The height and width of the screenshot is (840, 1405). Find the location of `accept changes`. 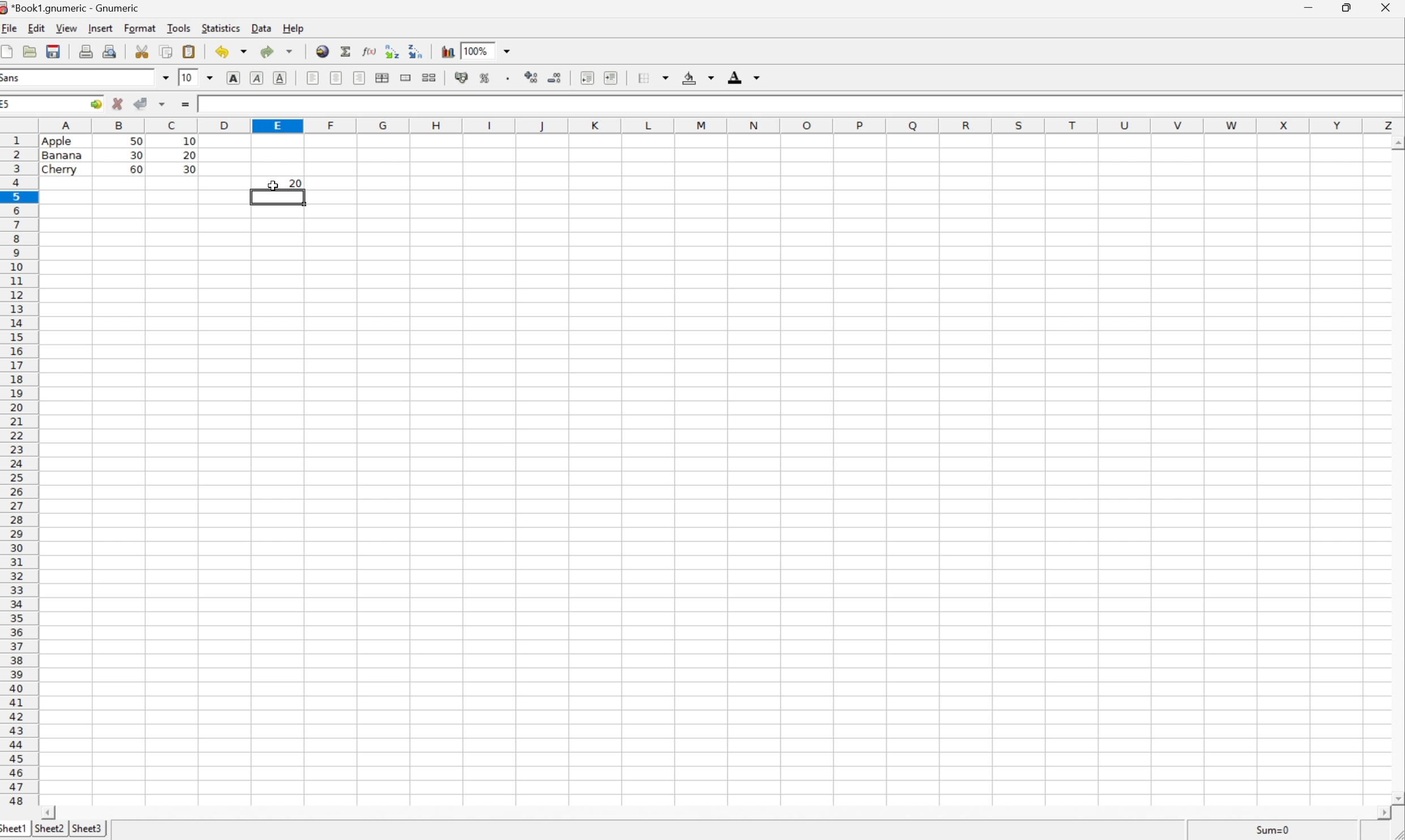

accept changes is located at coordinates (142, 104).